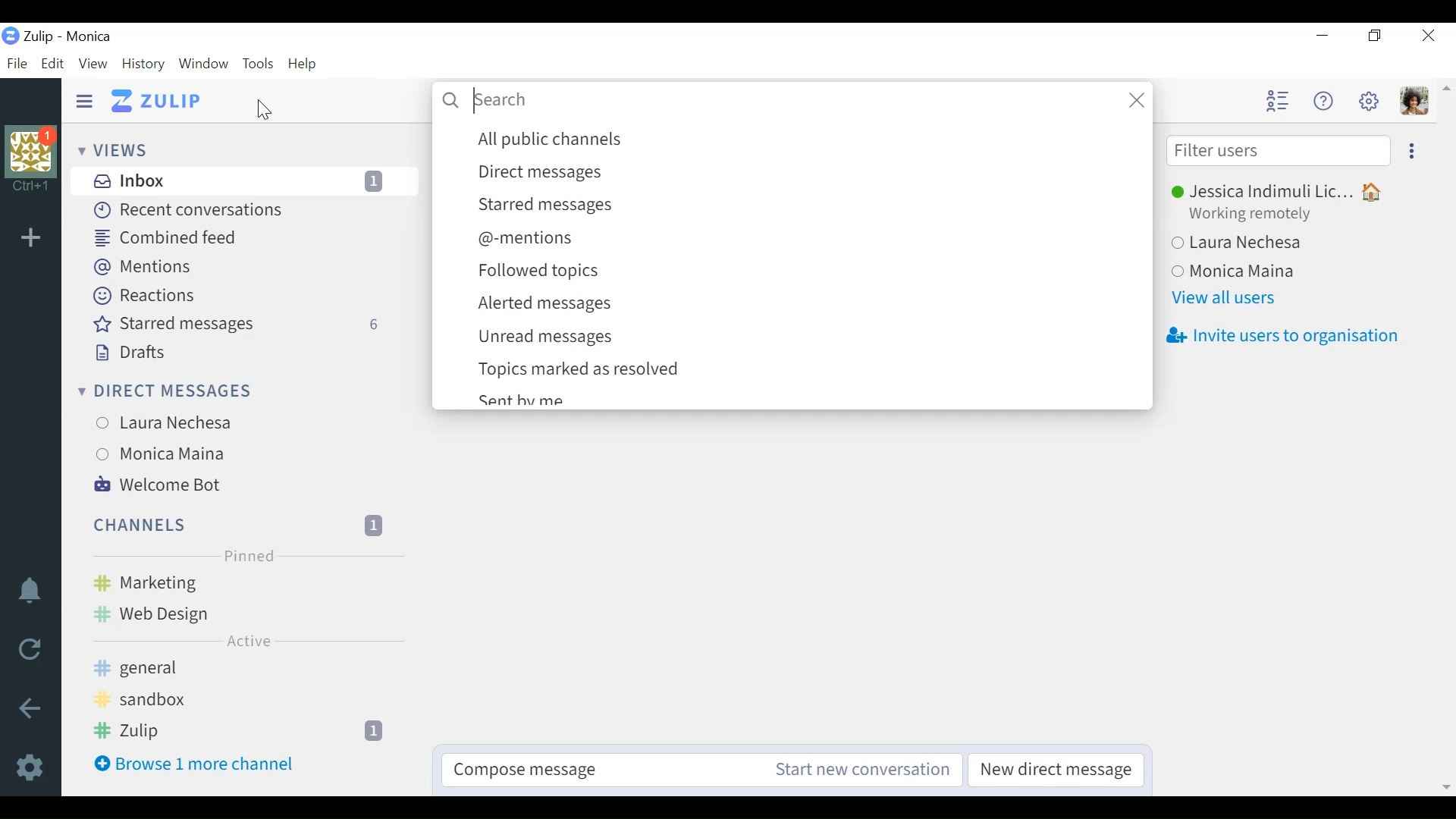 The image size is (1456, 819). What do you see at coordinates (250, 732) in the screenshot?
I see `channel` at bounding box center [250, 732].